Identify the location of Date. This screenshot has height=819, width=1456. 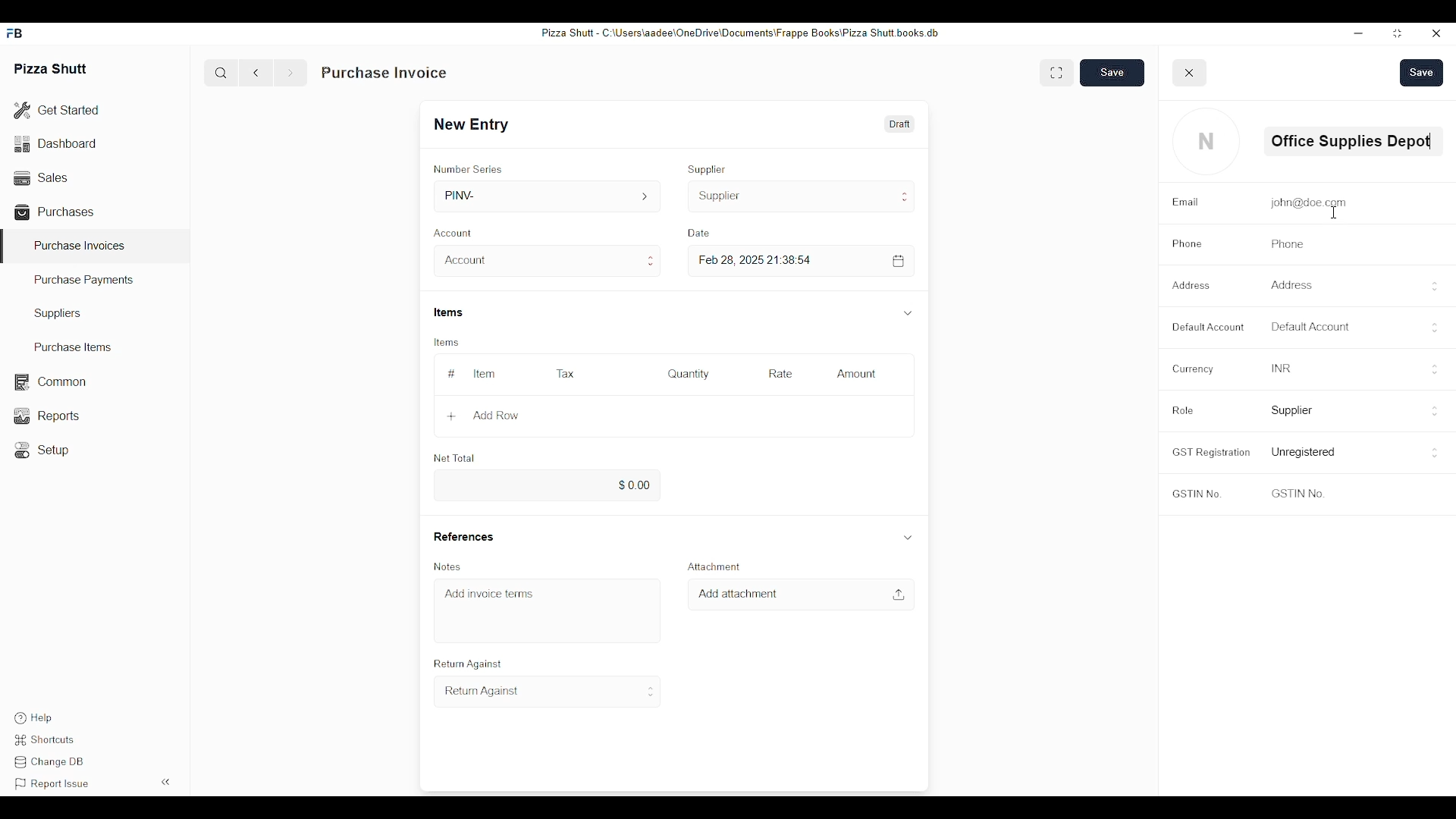
(701, 233).